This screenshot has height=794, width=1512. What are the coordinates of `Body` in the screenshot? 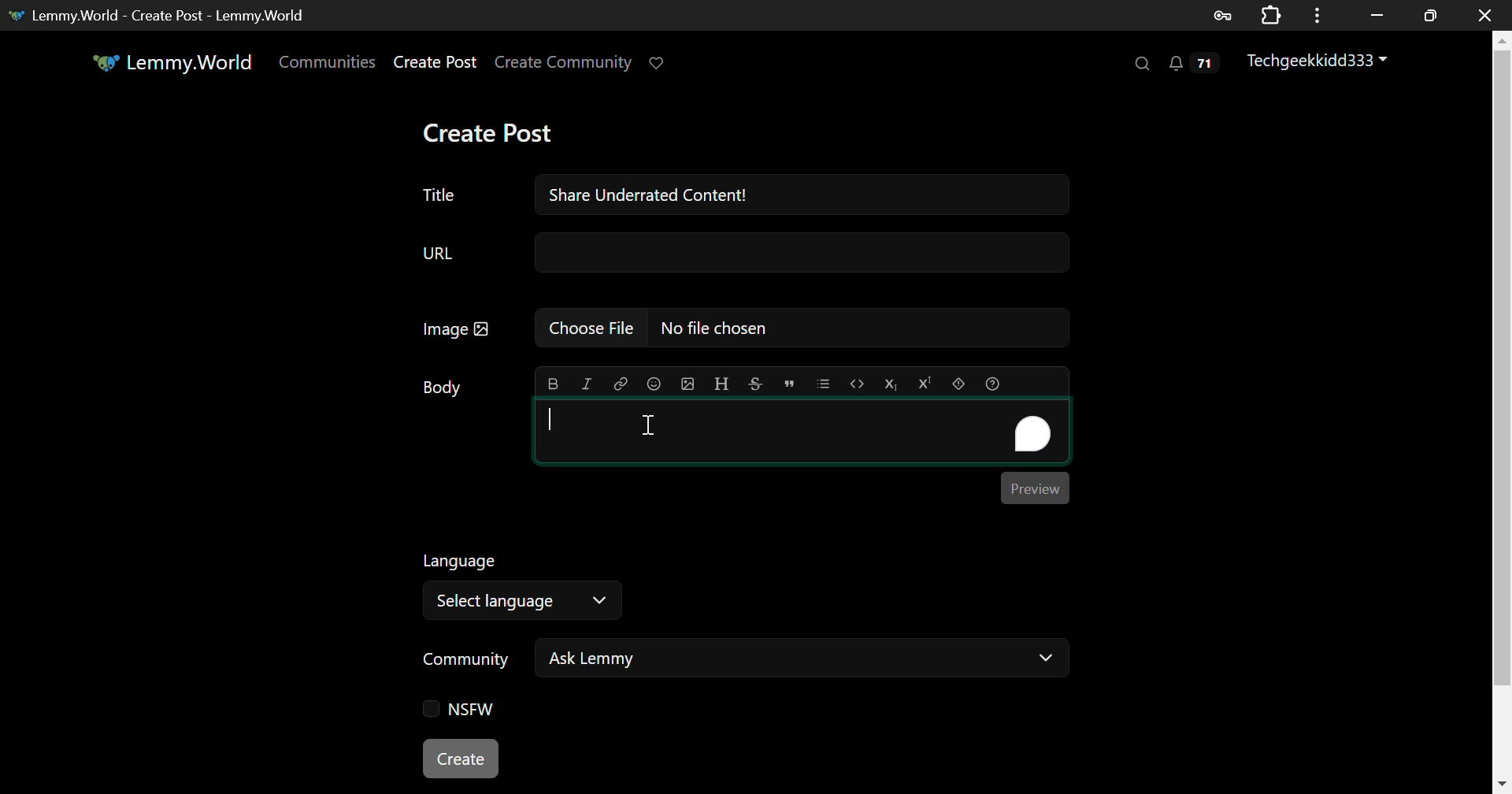 It's located at (443, 388).